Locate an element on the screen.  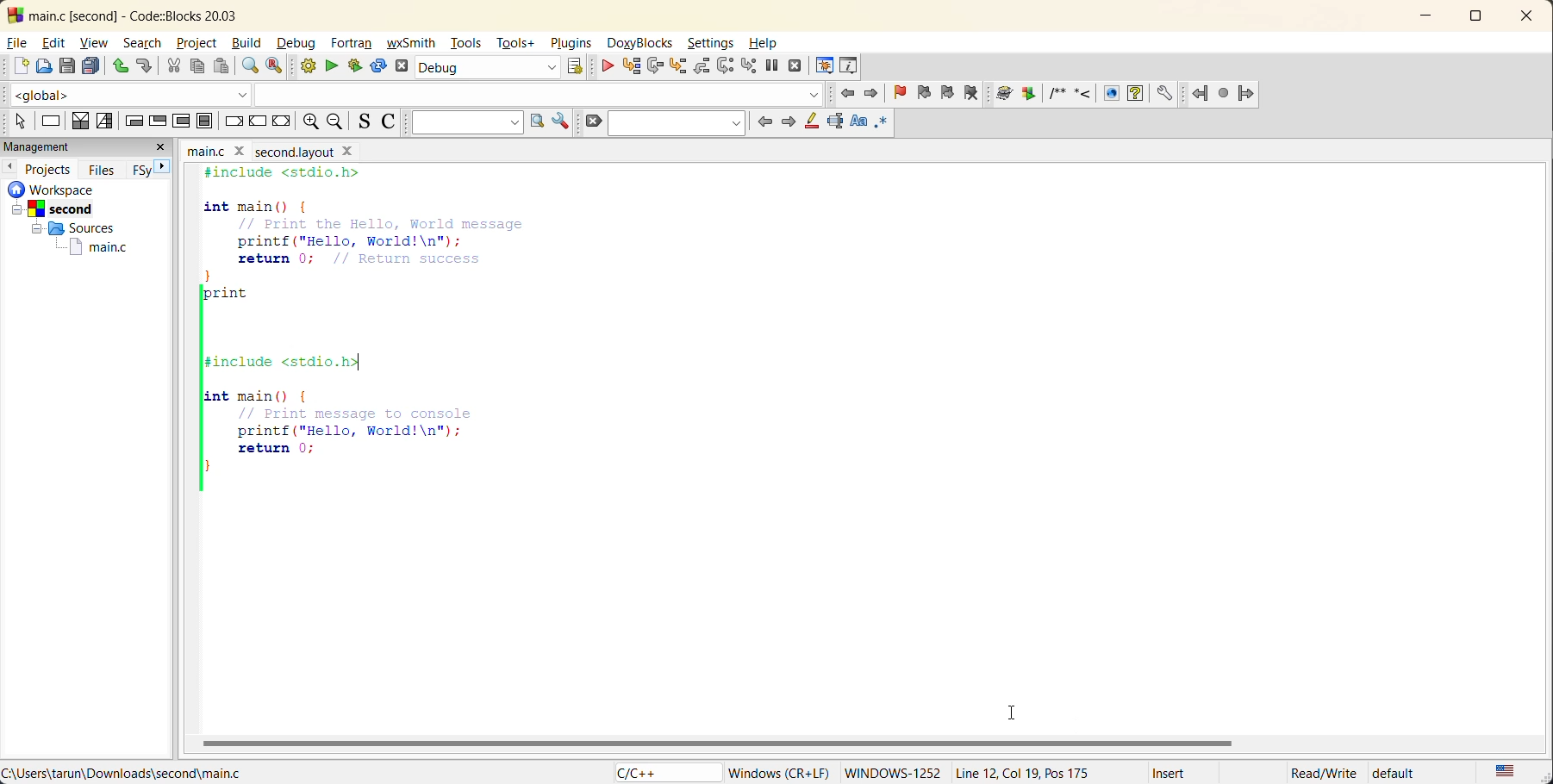
counting loop is located at coordinates (183, 121).